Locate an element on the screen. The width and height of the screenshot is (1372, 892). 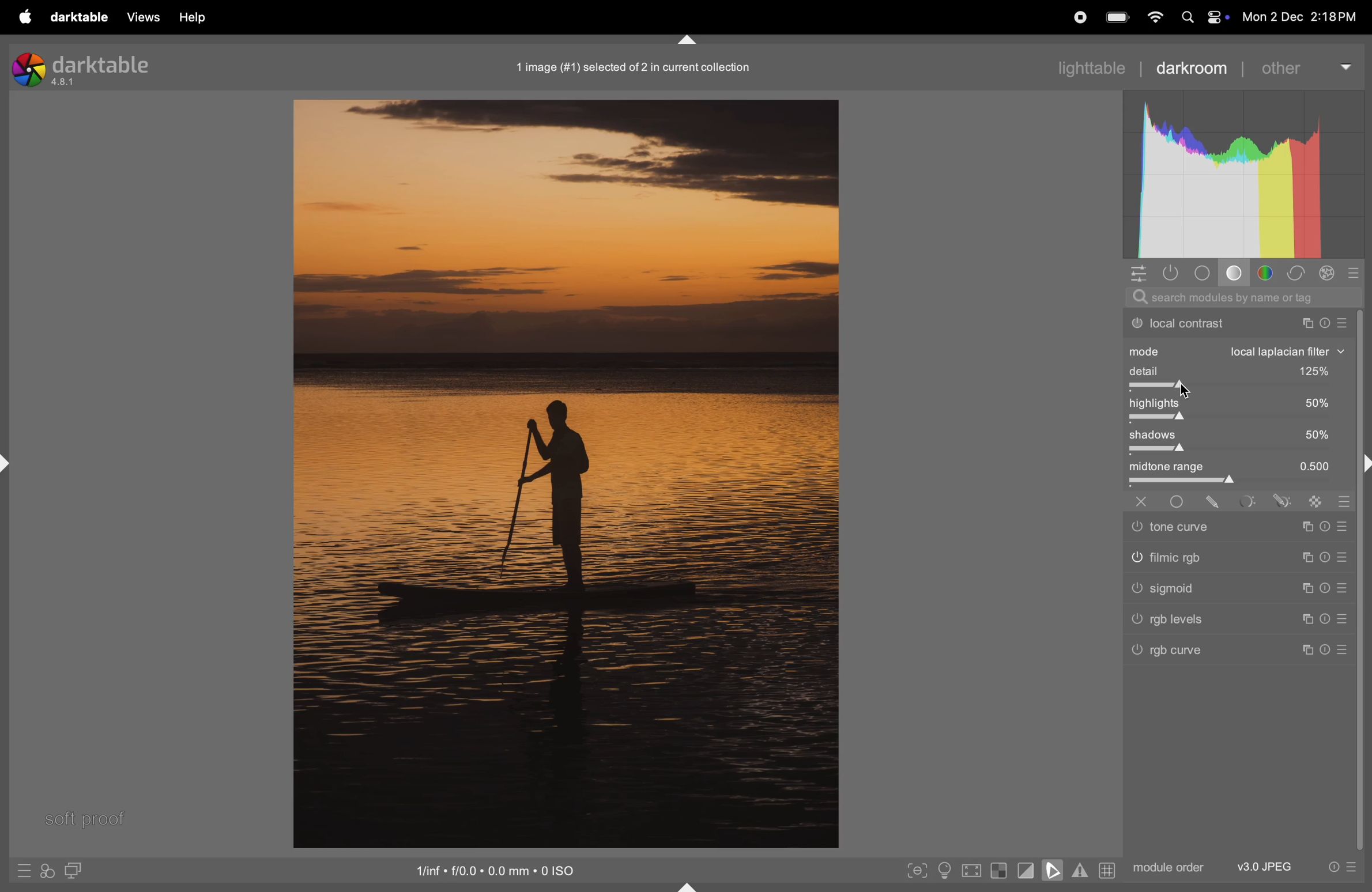
high lights is located at coordinates (1240, 405).